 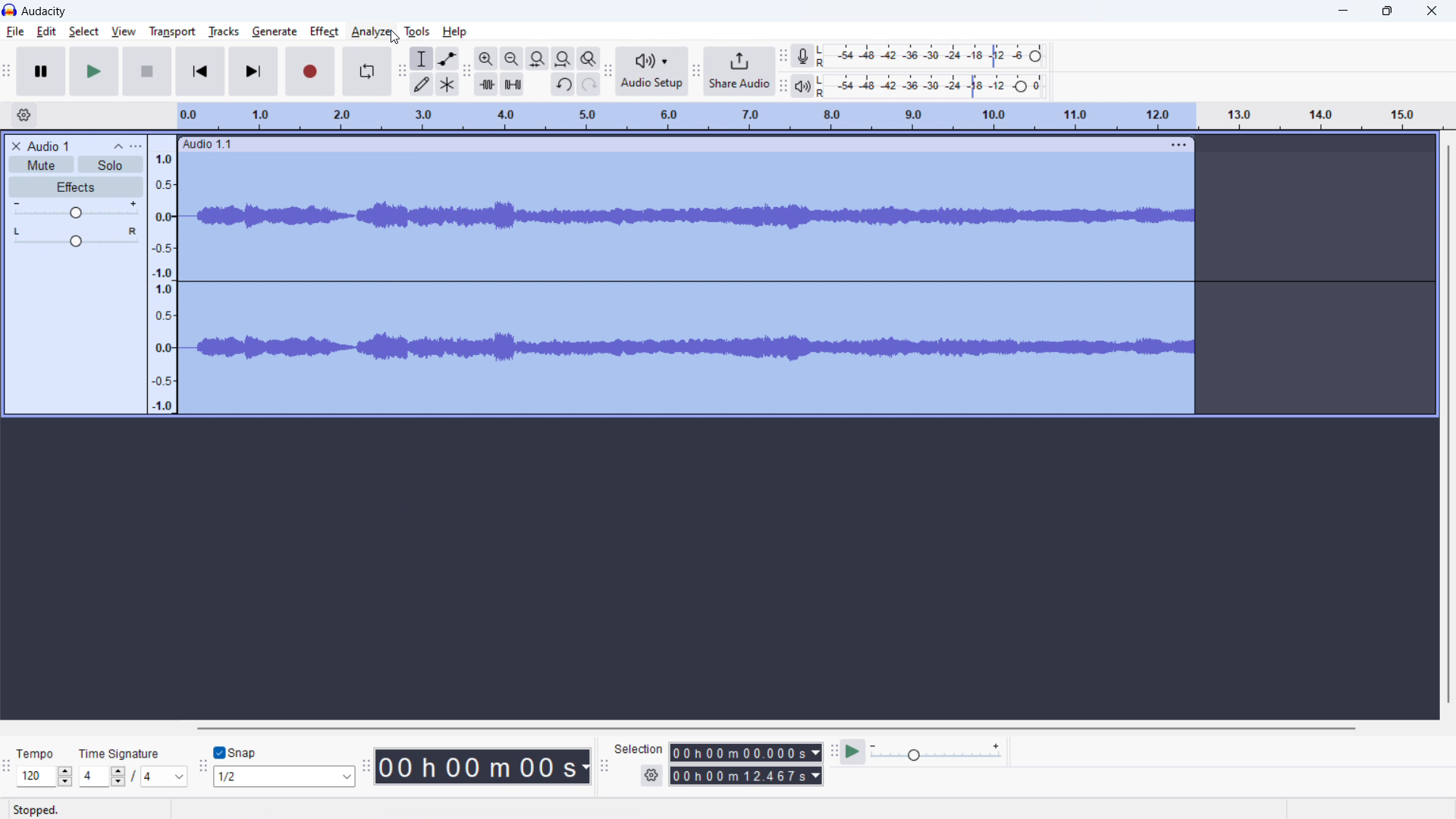 What do you see at coordinates (275, 32) in the screenshot?
I see `generate` at bounding box center [275, 32].